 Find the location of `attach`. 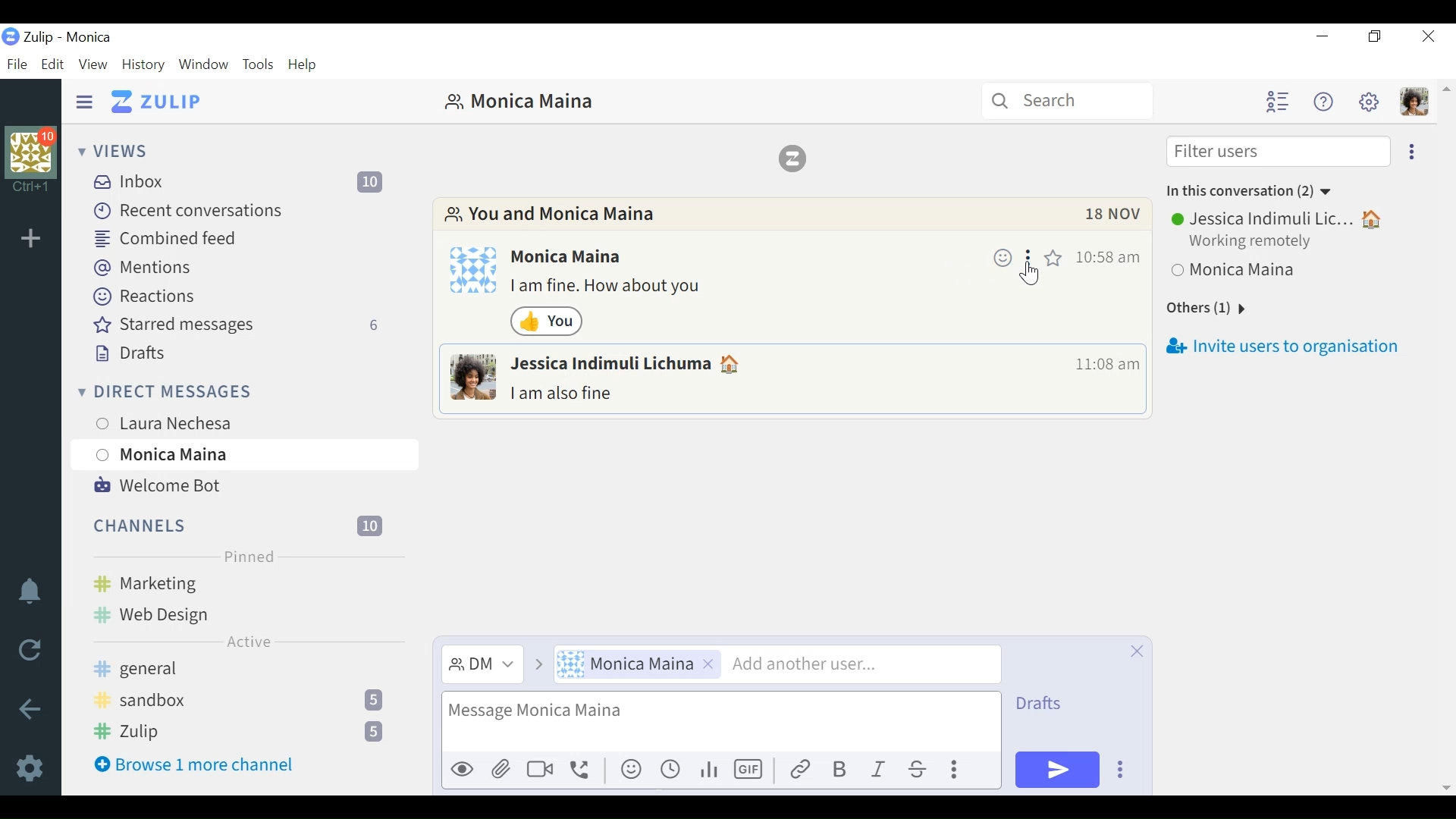

attach is located at coordinates (502, 770).